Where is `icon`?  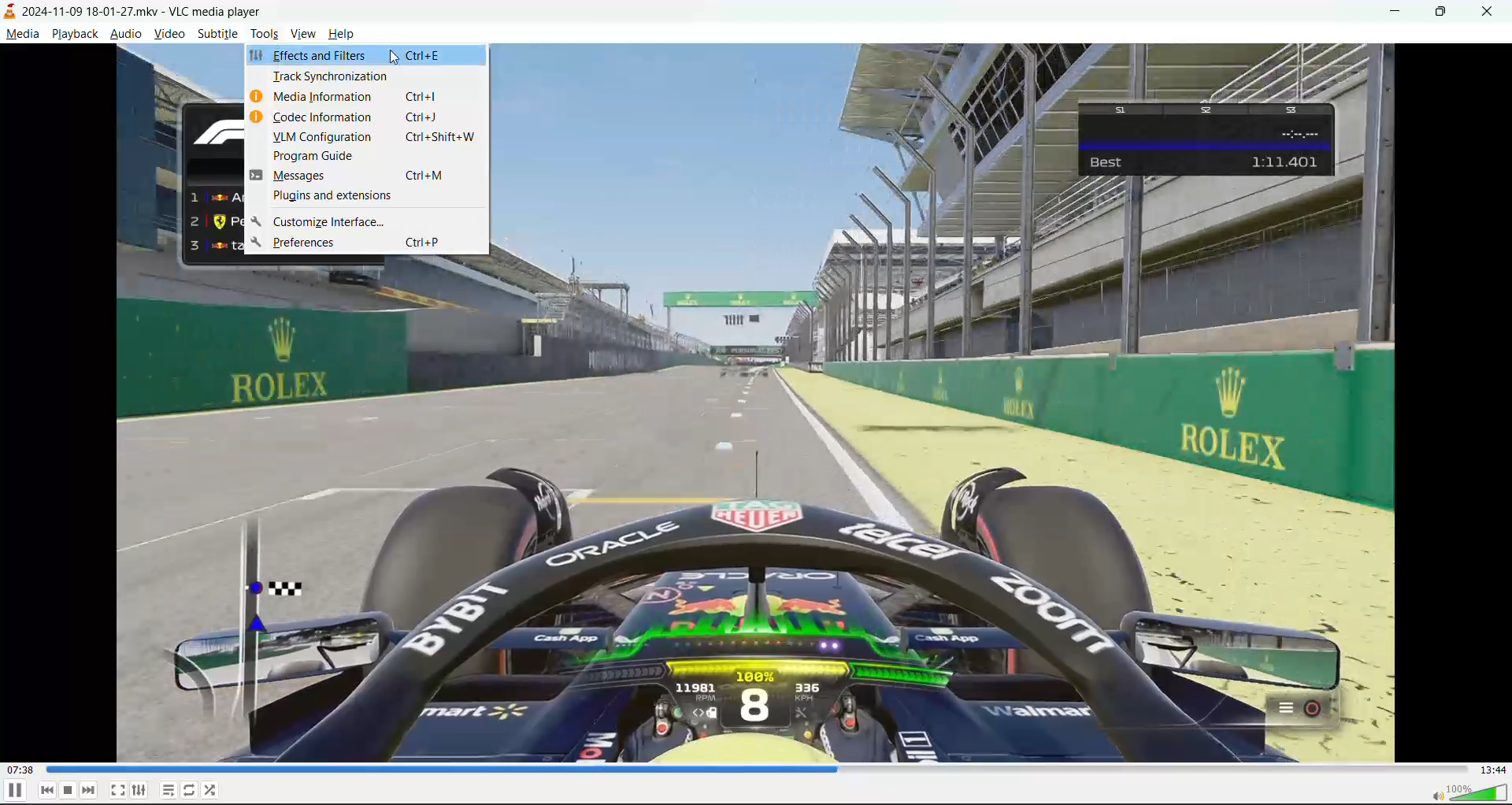 icon is located at coordinates (258, 97).